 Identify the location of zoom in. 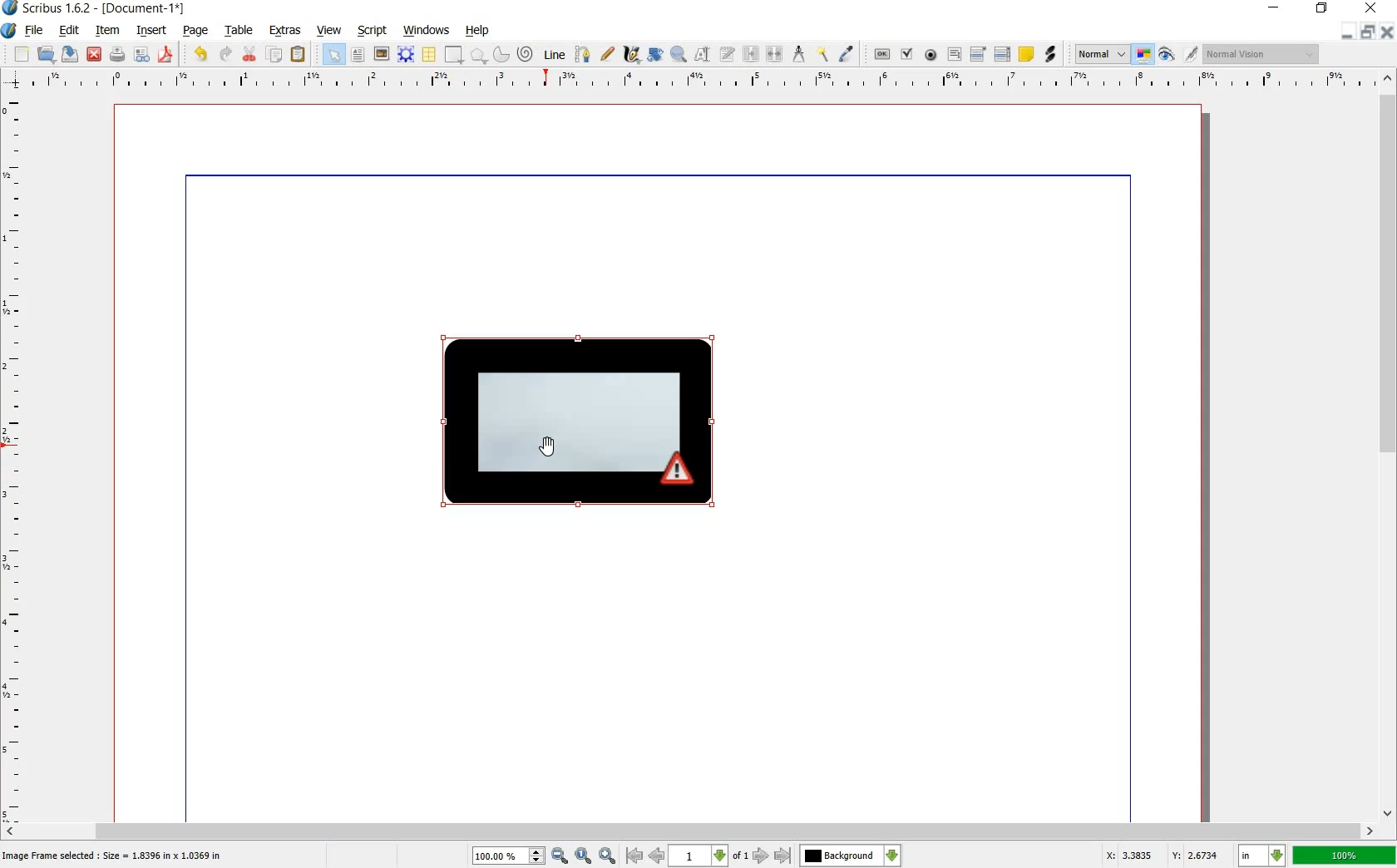
(521, 855).